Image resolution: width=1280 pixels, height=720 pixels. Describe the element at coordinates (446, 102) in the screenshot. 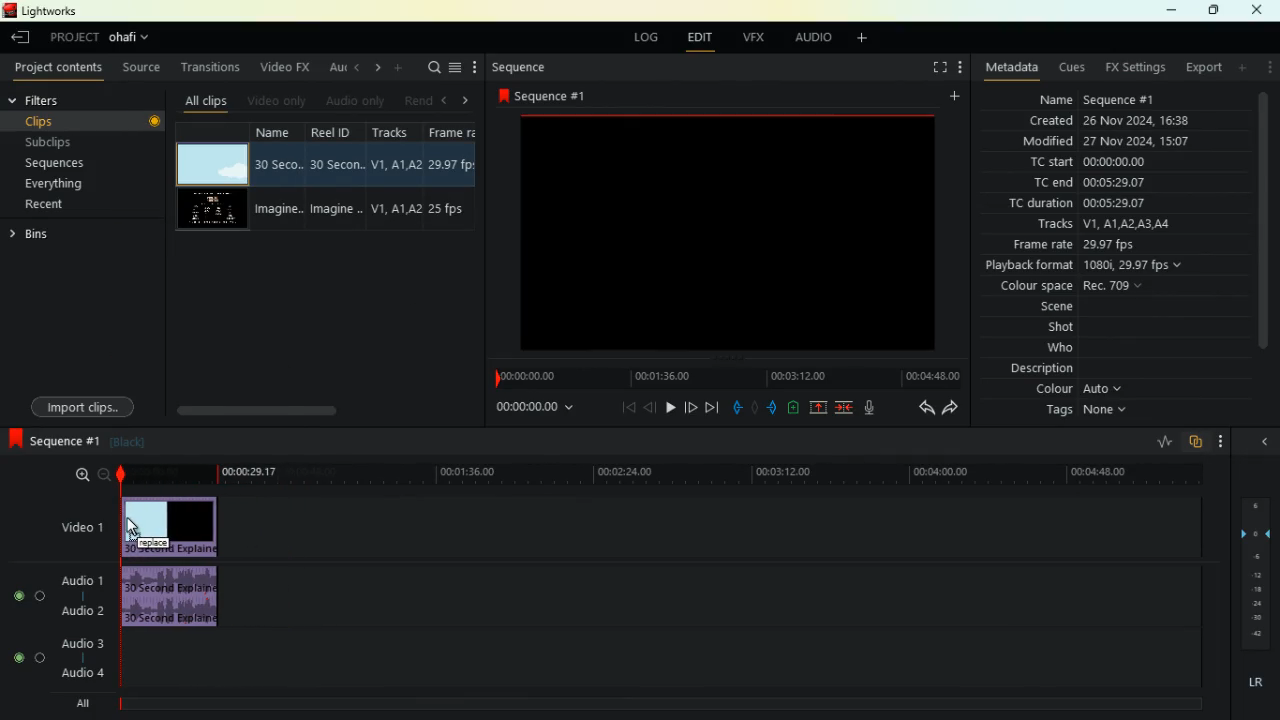

I see `left` at that location.